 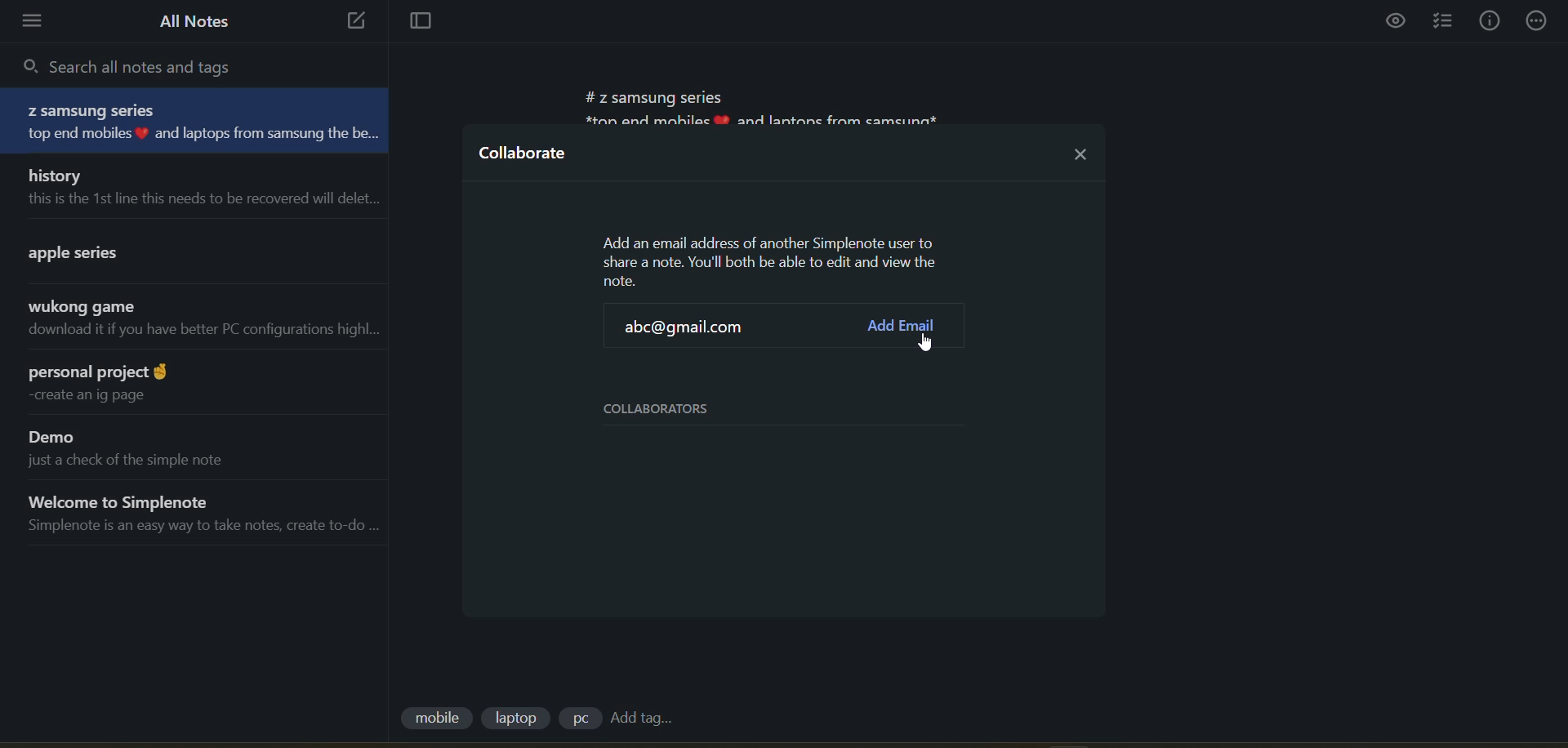 I want to click on menu, so click(x=38, y=21).